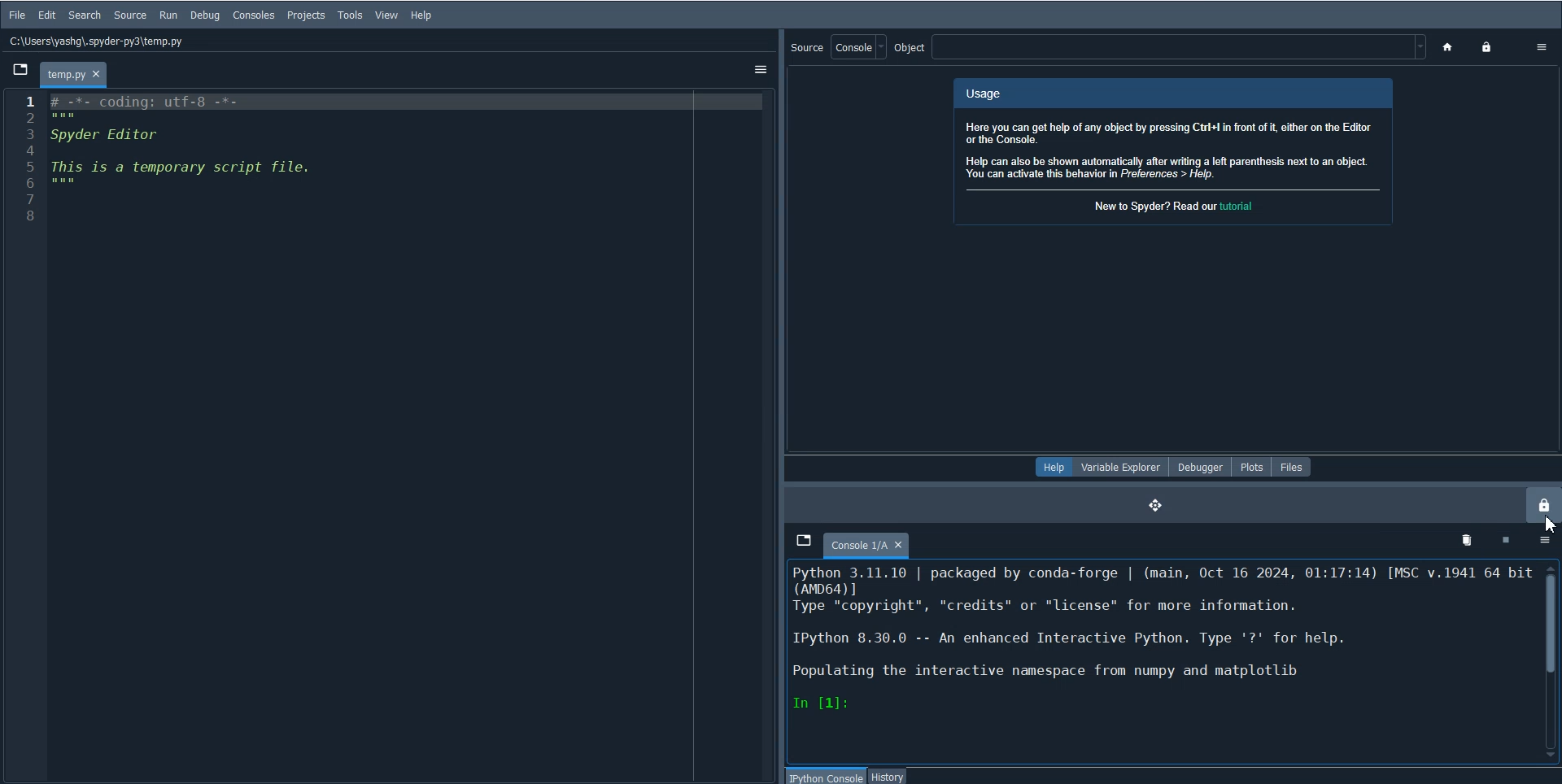 The height and width of the screenshot is (784, 1562). Describe the element at coordinates (1542, 46) in the screenshot. I see `Option` at that location.